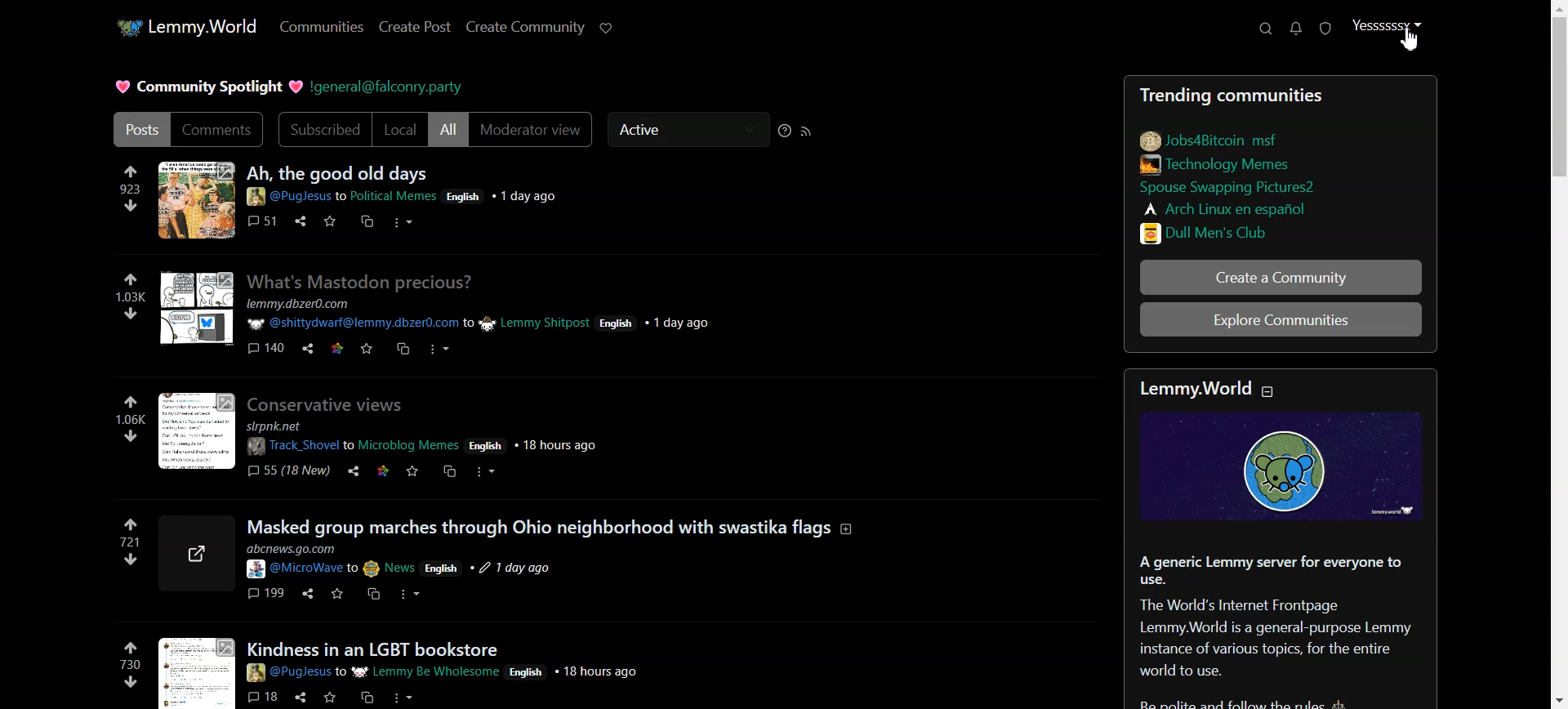 This screenshot has height=709, width=1568. I want to click on more, so click(399, 221).